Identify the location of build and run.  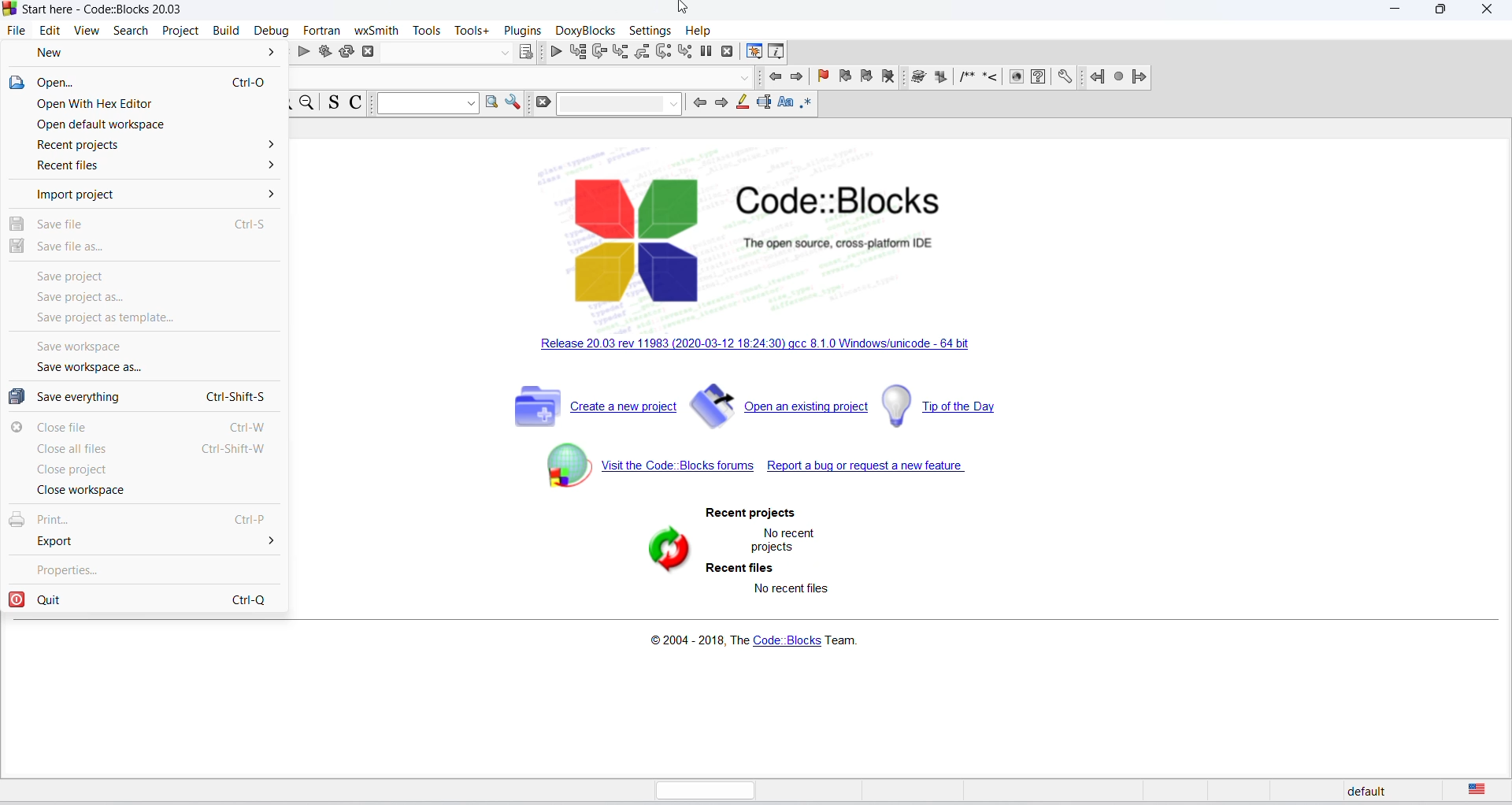
(323, 54).